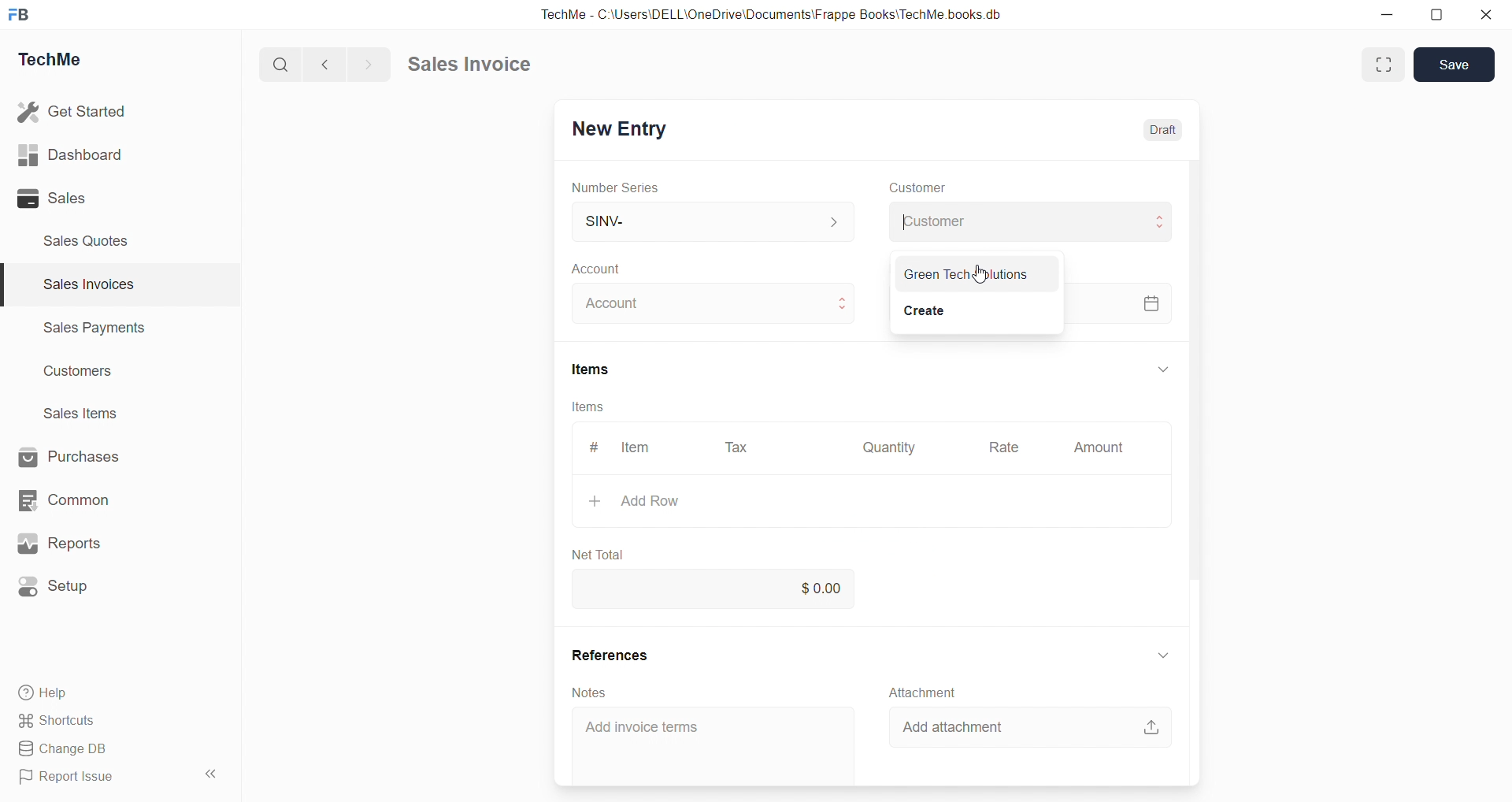 The image size is (1512, 802). Describe the element at coordinates (925, 311) in the screenshot. I see `Create` at that location.